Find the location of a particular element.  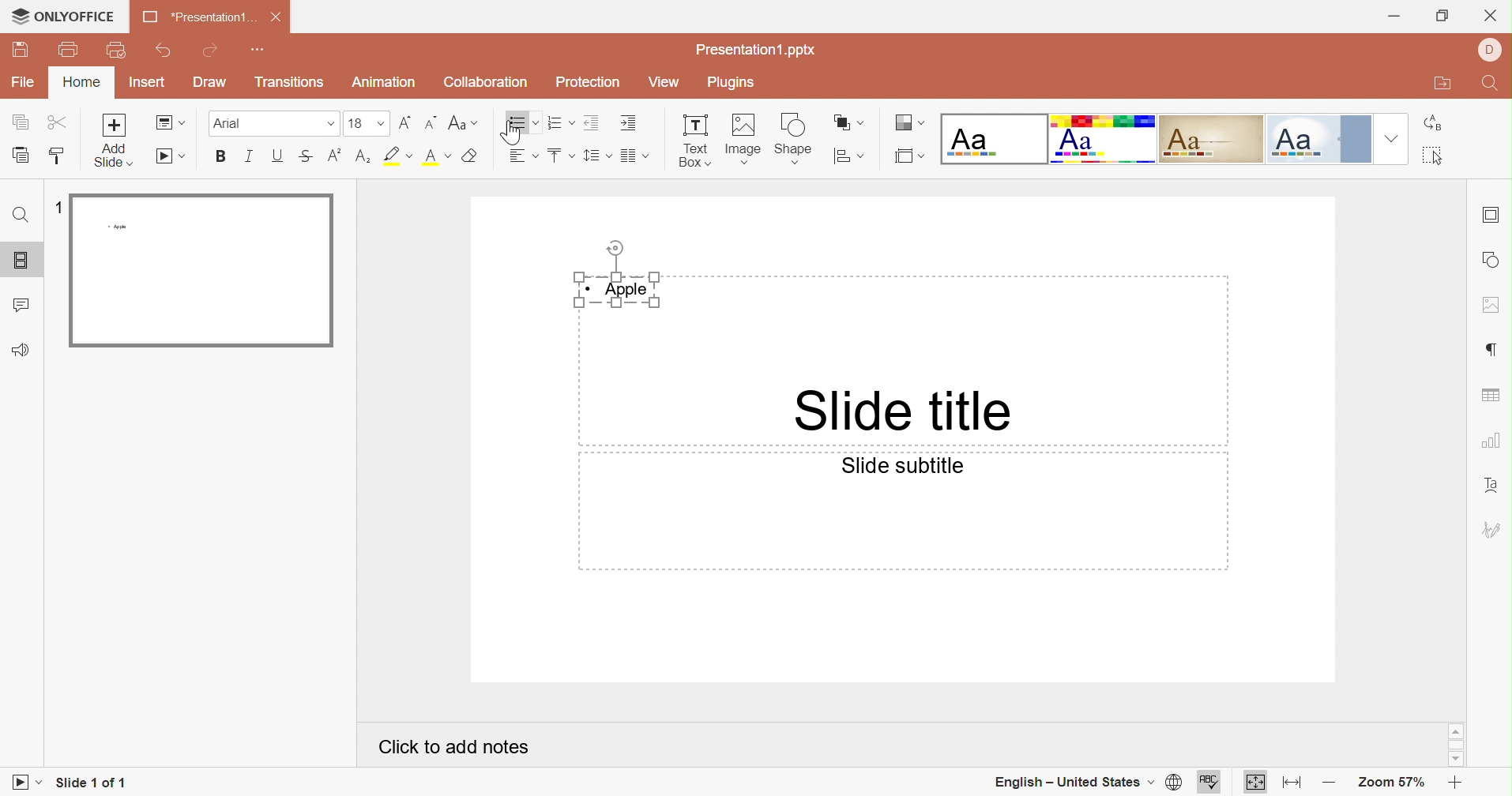

Decrease indent is located at coordinates (590, 123).